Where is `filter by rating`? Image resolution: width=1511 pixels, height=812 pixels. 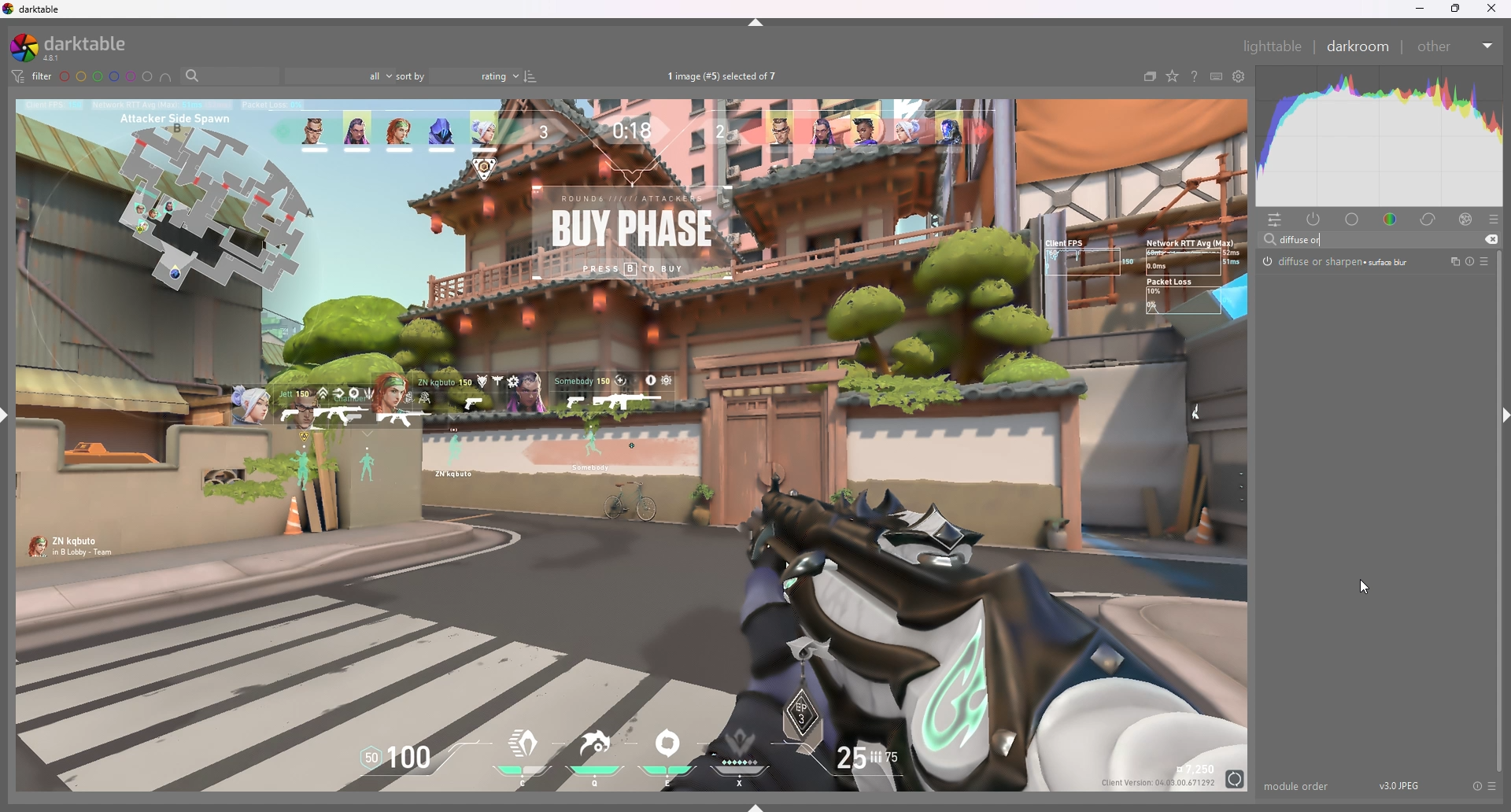
filter by rating is located at coordinates (338, 77).